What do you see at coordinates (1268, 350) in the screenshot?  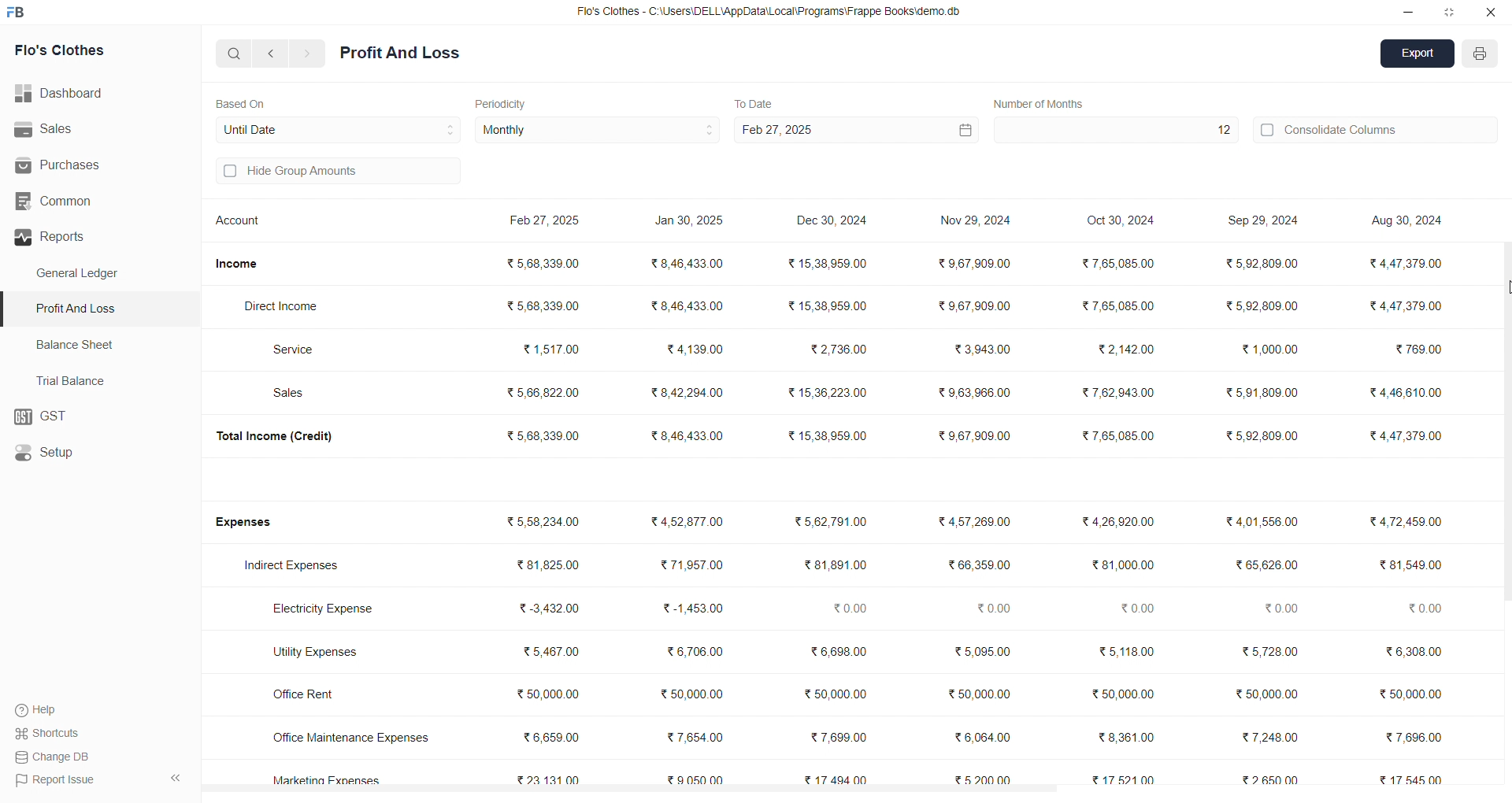 I see `₹ 1,000.00` at bounding box center [1268, 350].